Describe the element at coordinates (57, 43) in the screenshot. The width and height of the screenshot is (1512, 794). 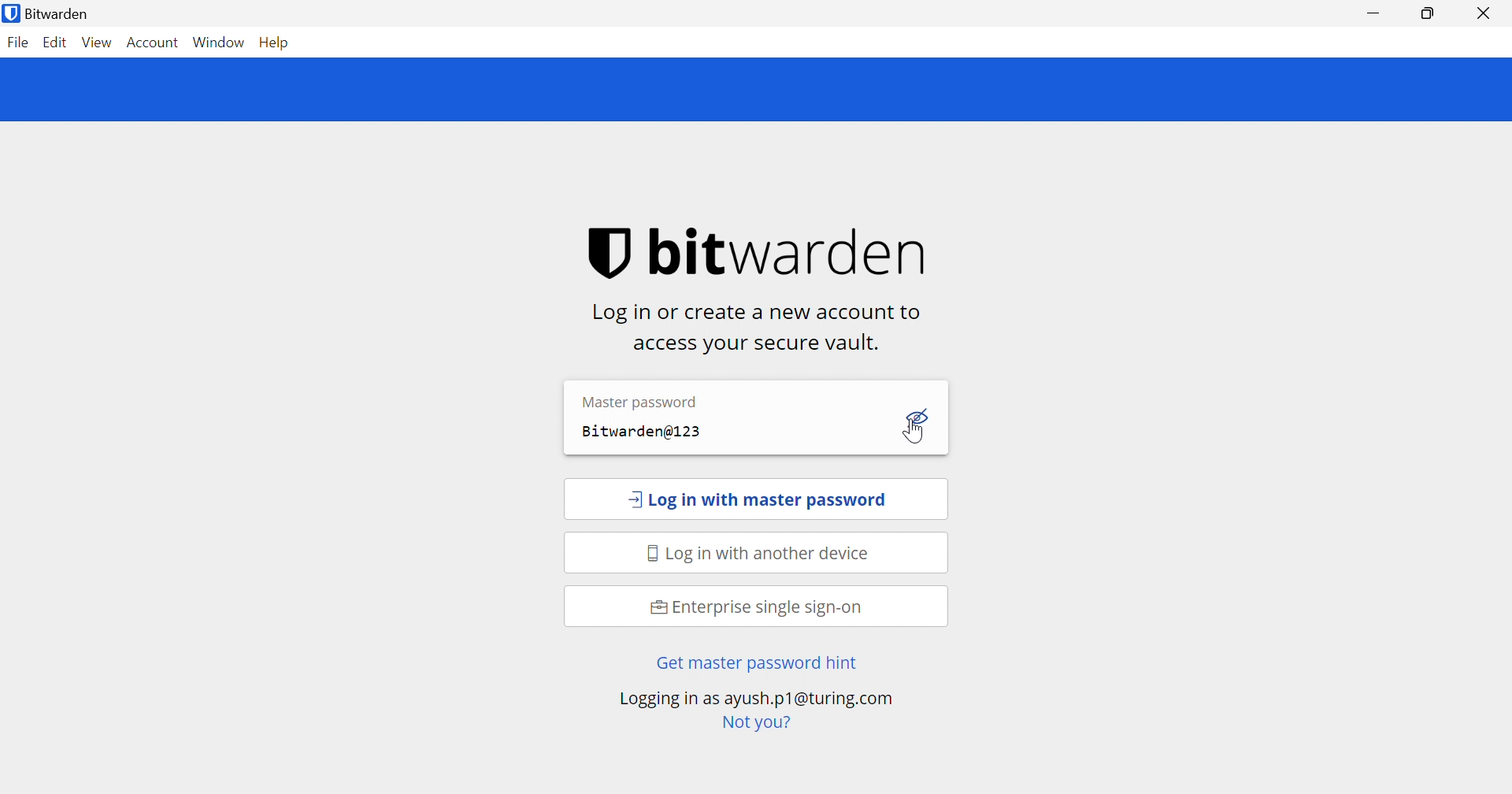
I see `Edit` at that location.